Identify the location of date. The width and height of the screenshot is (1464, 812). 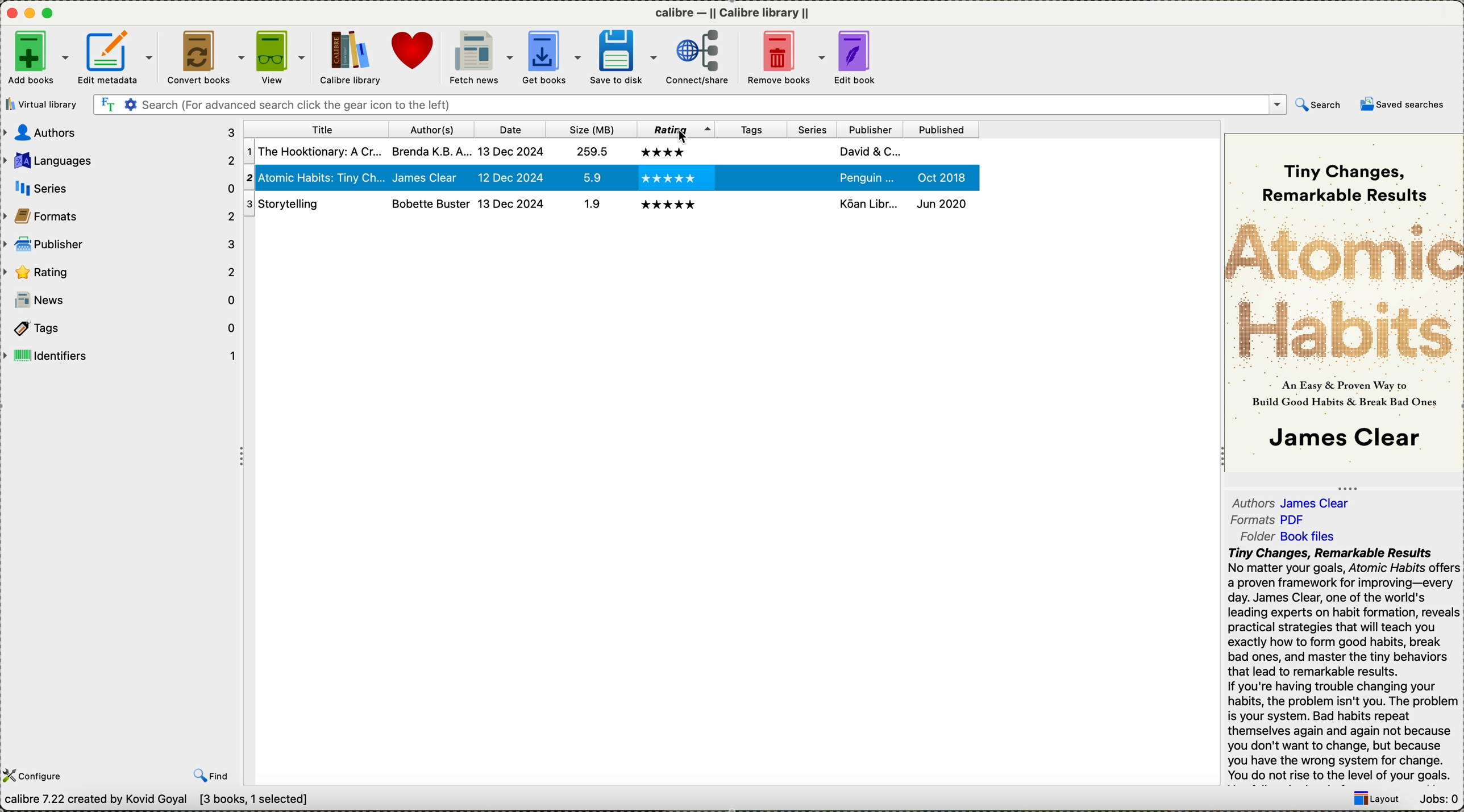
(511, 130).